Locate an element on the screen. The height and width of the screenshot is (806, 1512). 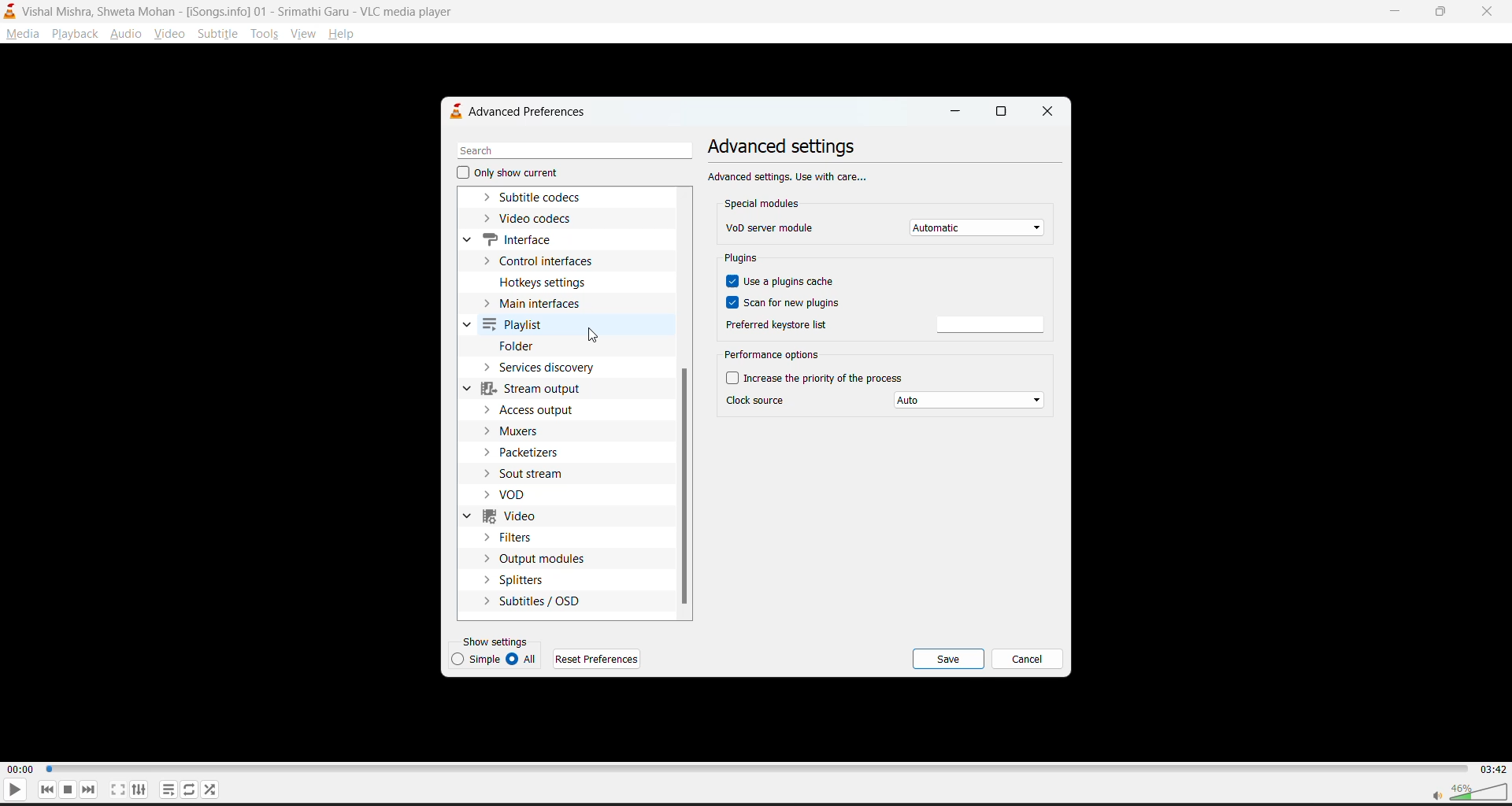
hotkeys settings is located at coordinates (543, 285).